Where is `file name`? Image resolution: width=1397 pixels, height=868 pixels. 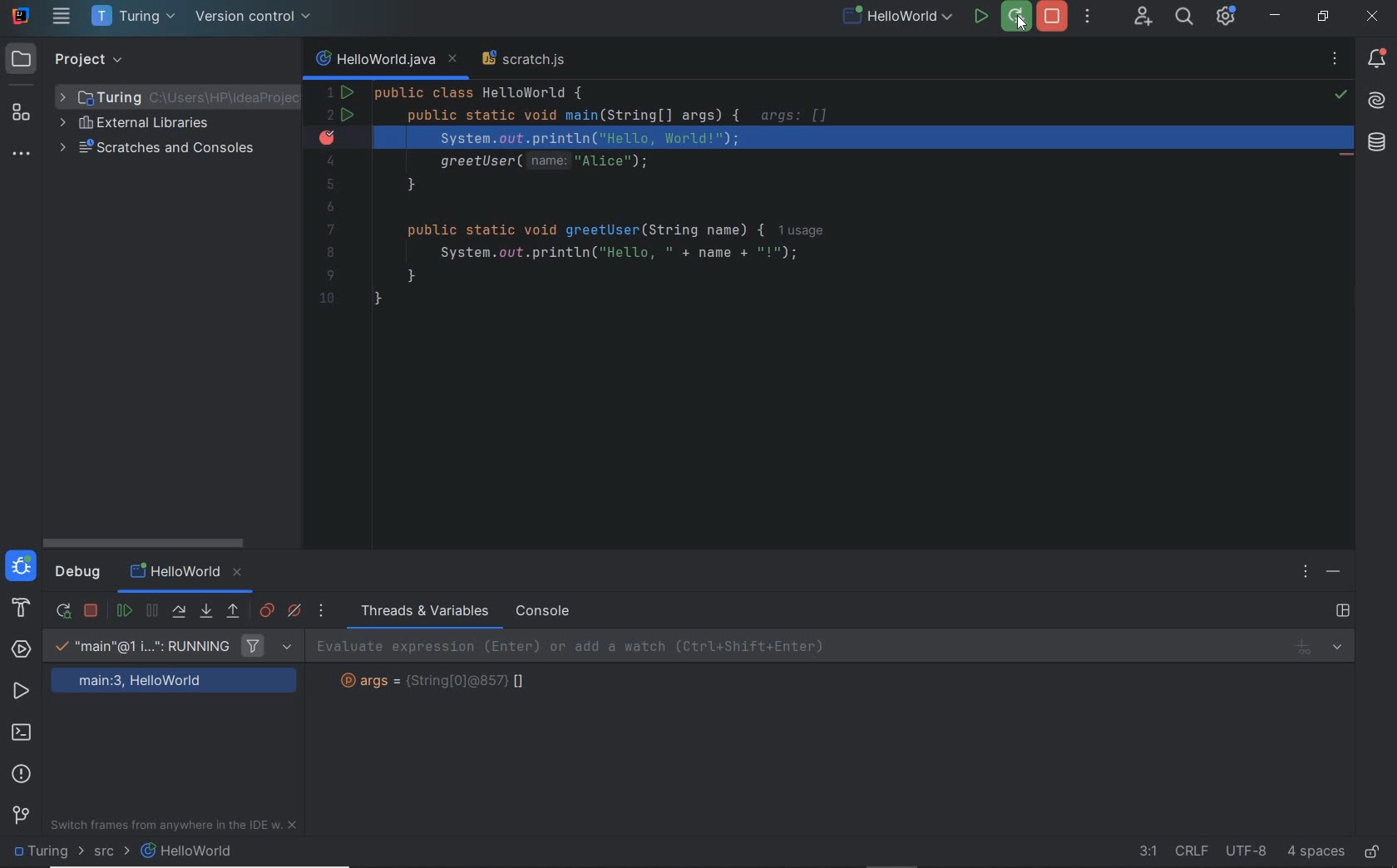 file name is located at coordinates (189, 851).